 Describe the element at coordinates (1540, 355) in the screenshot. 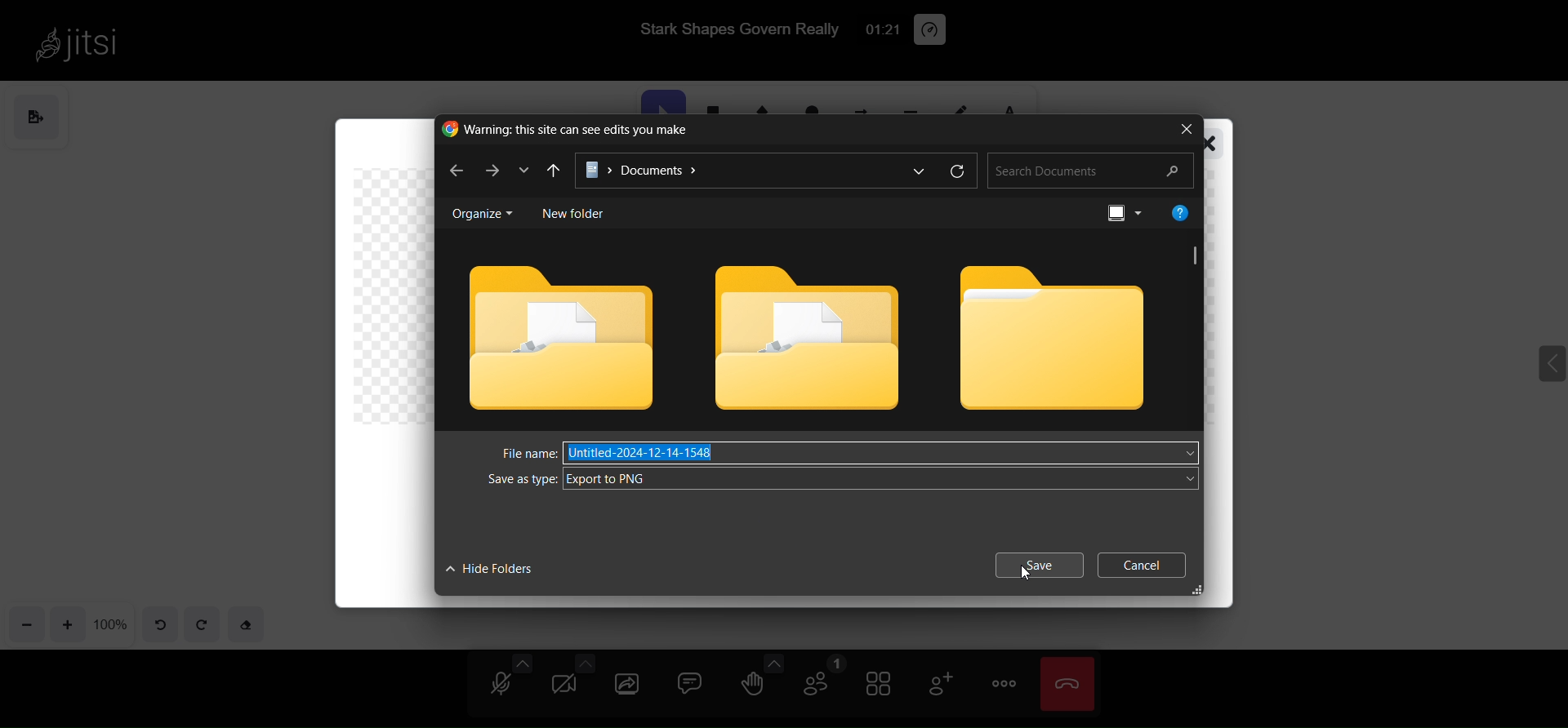

I see `expand` at that location.